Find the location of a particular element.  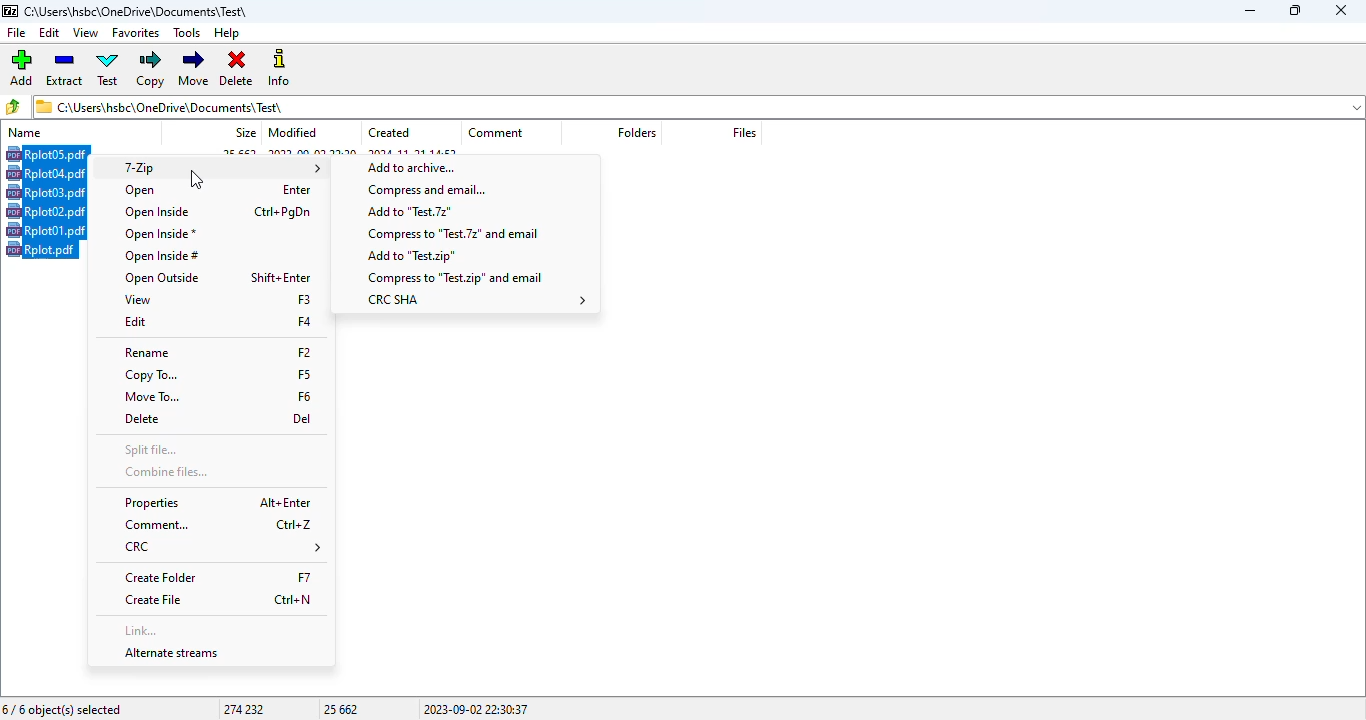

folders is located at coordinates (636, 133).